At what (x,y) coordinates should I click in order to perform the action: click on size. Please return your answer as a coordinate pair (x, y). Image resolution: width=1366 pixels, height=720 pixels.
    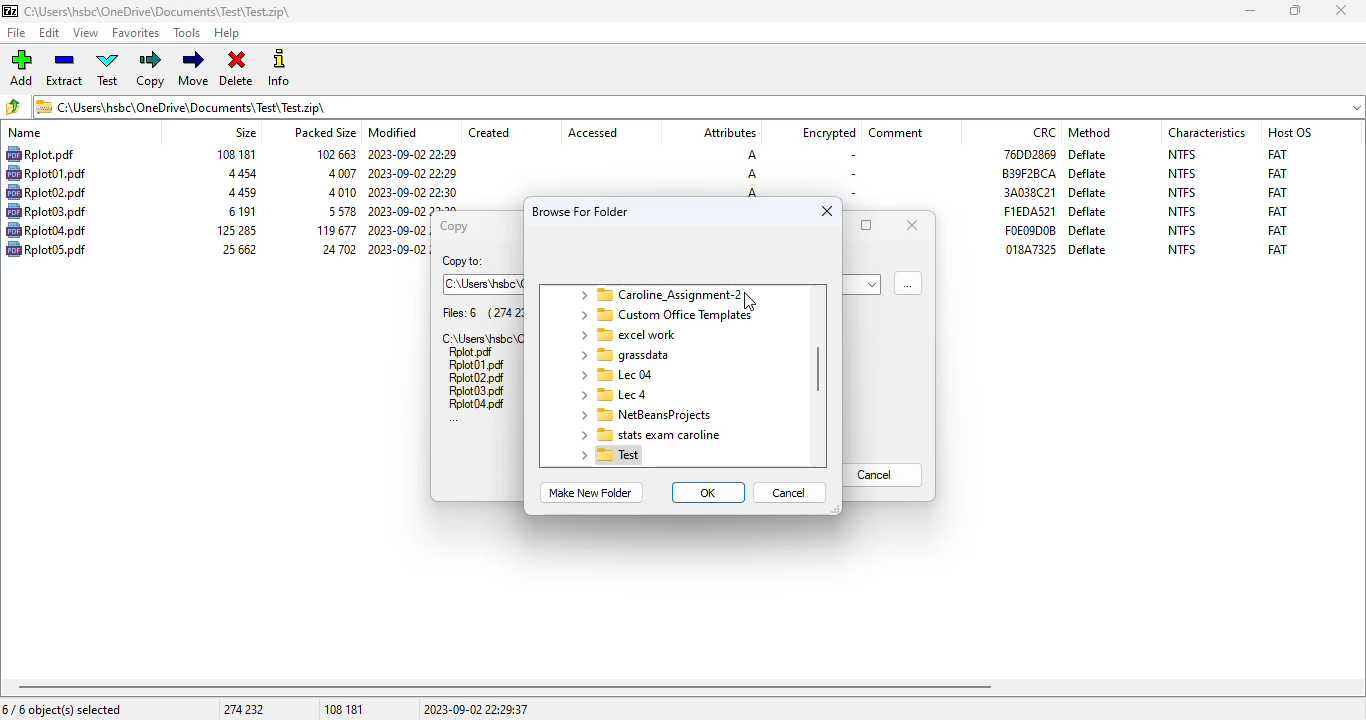
    Looking at the image, I should click on (238, 249).